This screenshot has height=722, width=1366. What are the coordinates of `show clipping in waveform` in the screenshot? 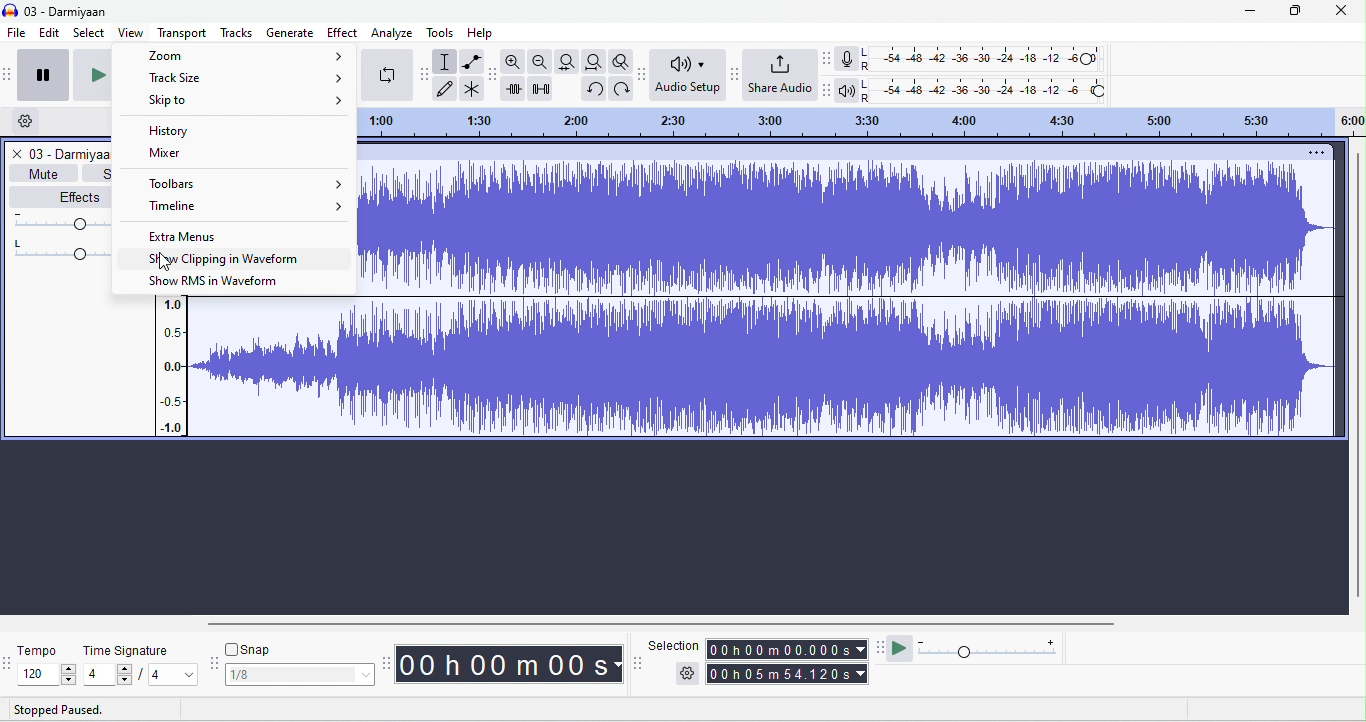 It's located at (225, 259).